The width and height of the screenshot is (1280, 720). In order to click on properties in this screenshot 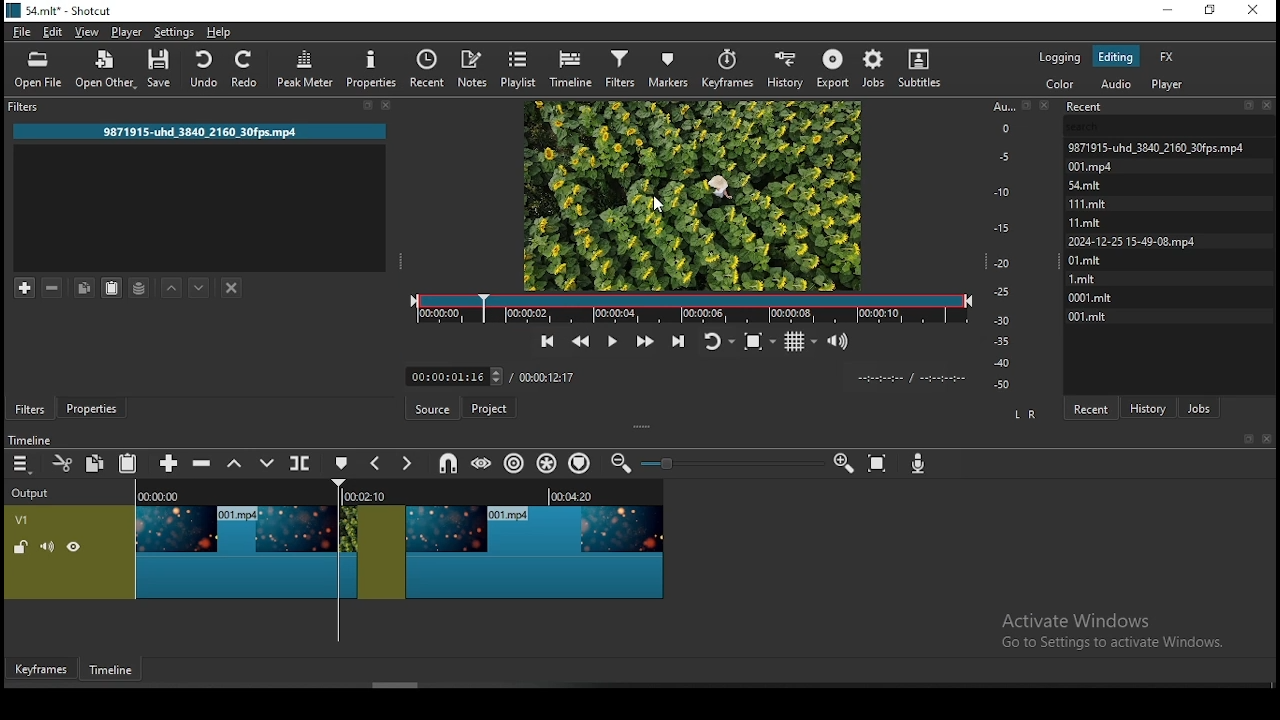, I will do `click(89, 409)`.